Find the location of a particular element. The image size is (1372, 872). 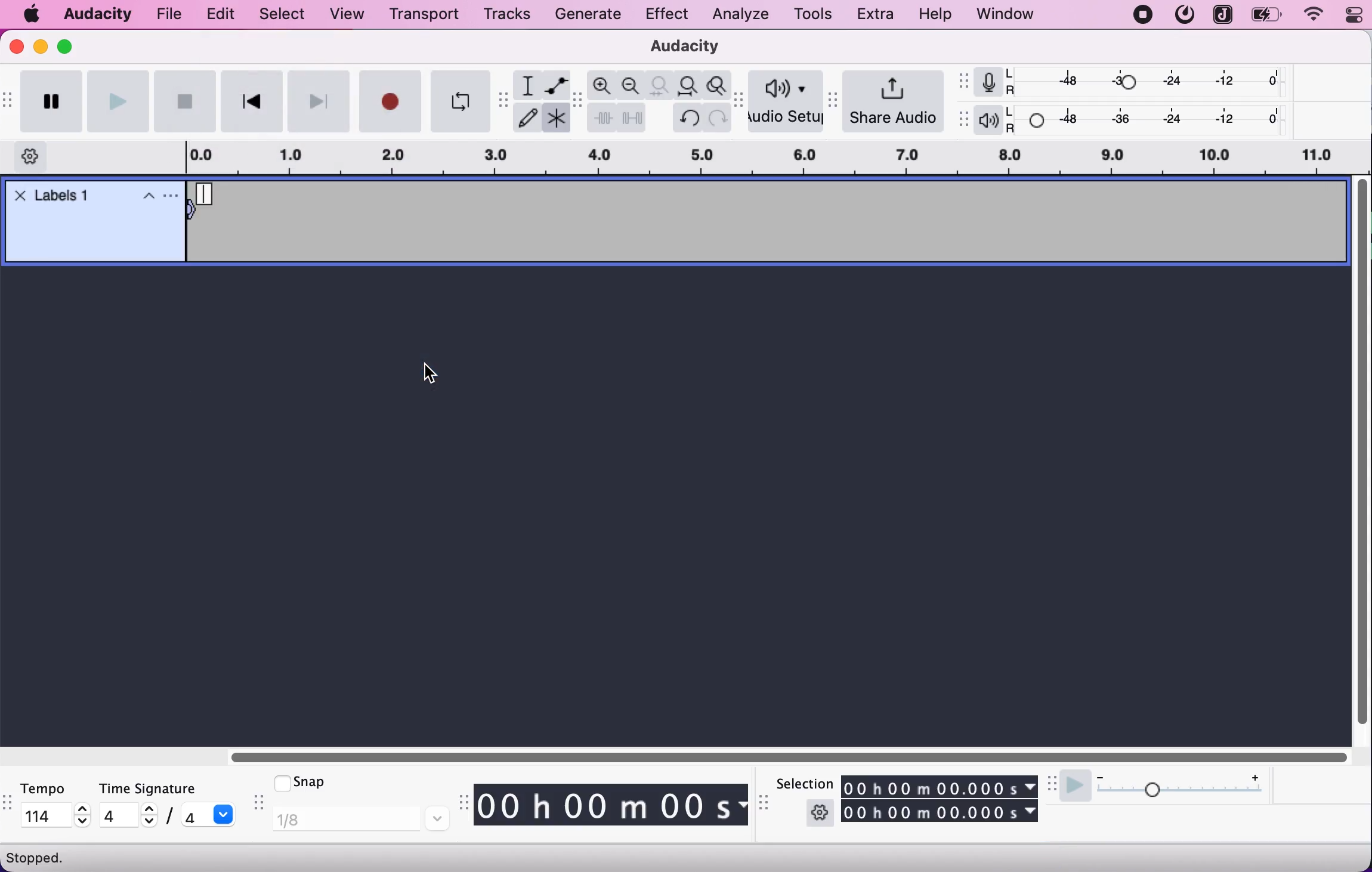

selection tool is located at coordinates (527, 85).